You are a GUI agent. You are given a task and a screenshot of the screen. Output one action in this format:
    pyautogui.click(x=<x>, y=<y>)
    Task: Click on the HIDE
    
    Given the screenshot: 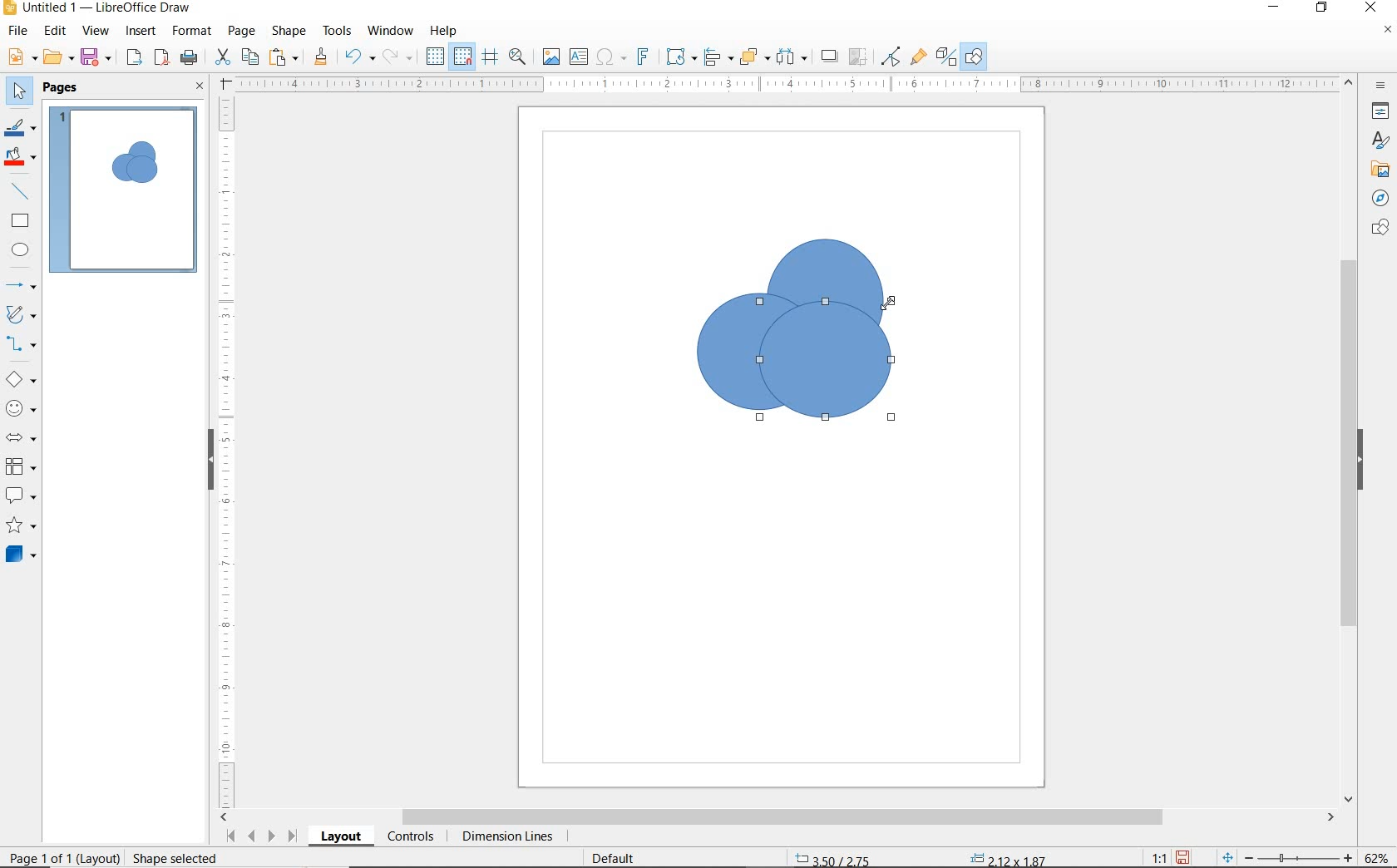 What is the action you would take?
    pyautogui.click(x=1365, y=460)
    